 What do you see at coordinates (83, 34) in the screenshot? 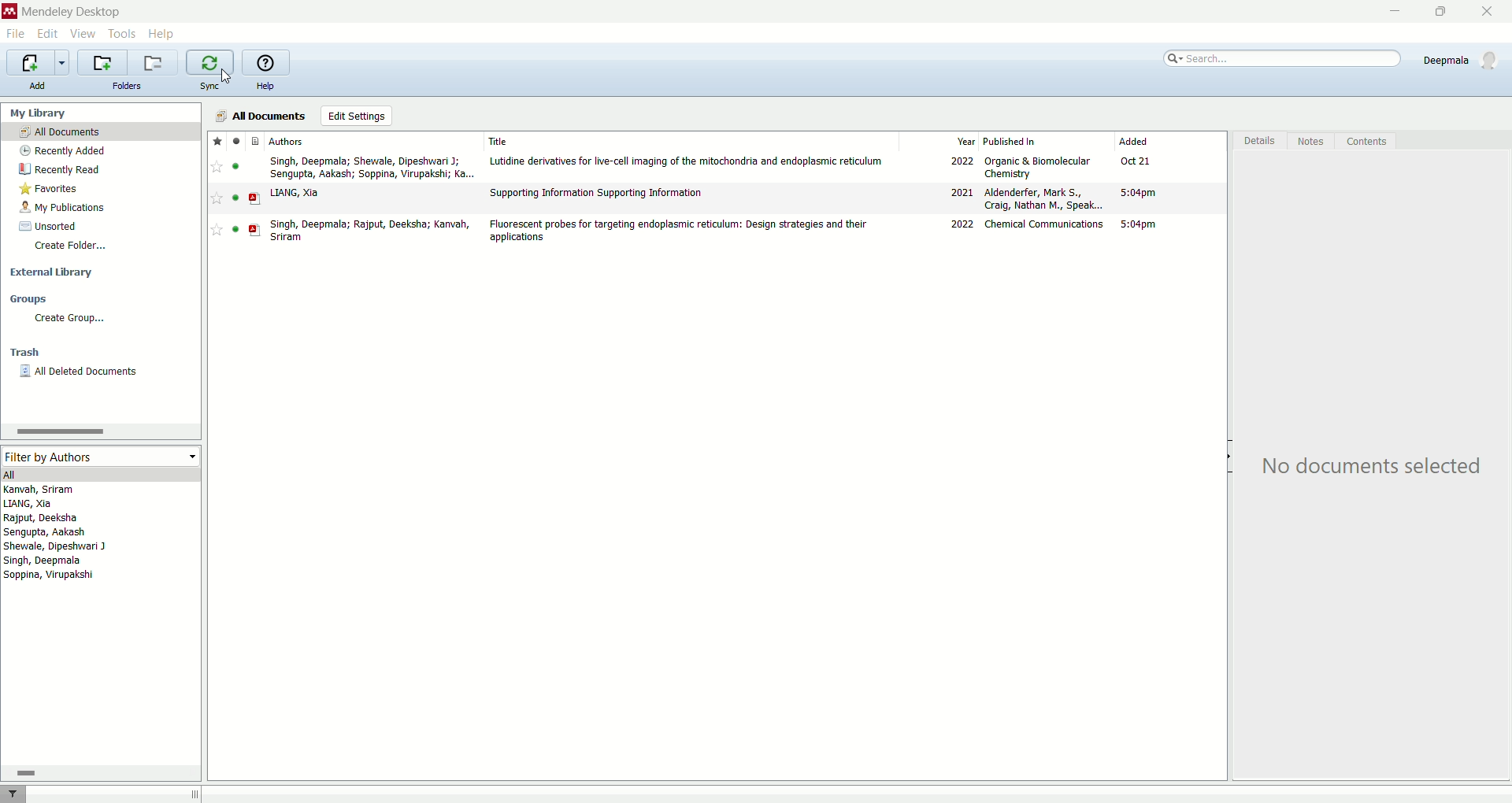
I see `view` at bounding box center [83, 34].